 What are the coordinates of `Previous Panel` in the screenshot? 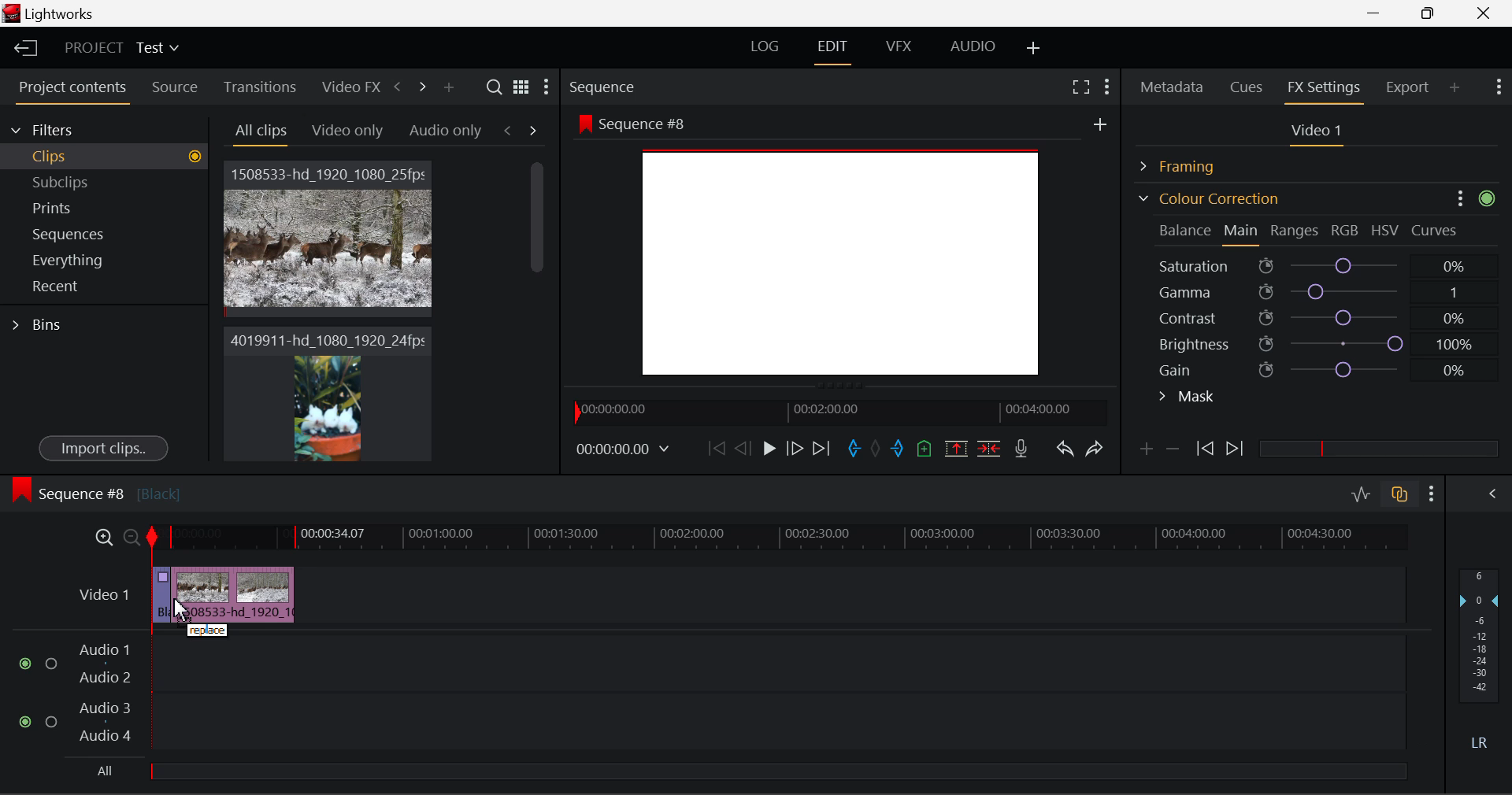 It's located at (397, 87).